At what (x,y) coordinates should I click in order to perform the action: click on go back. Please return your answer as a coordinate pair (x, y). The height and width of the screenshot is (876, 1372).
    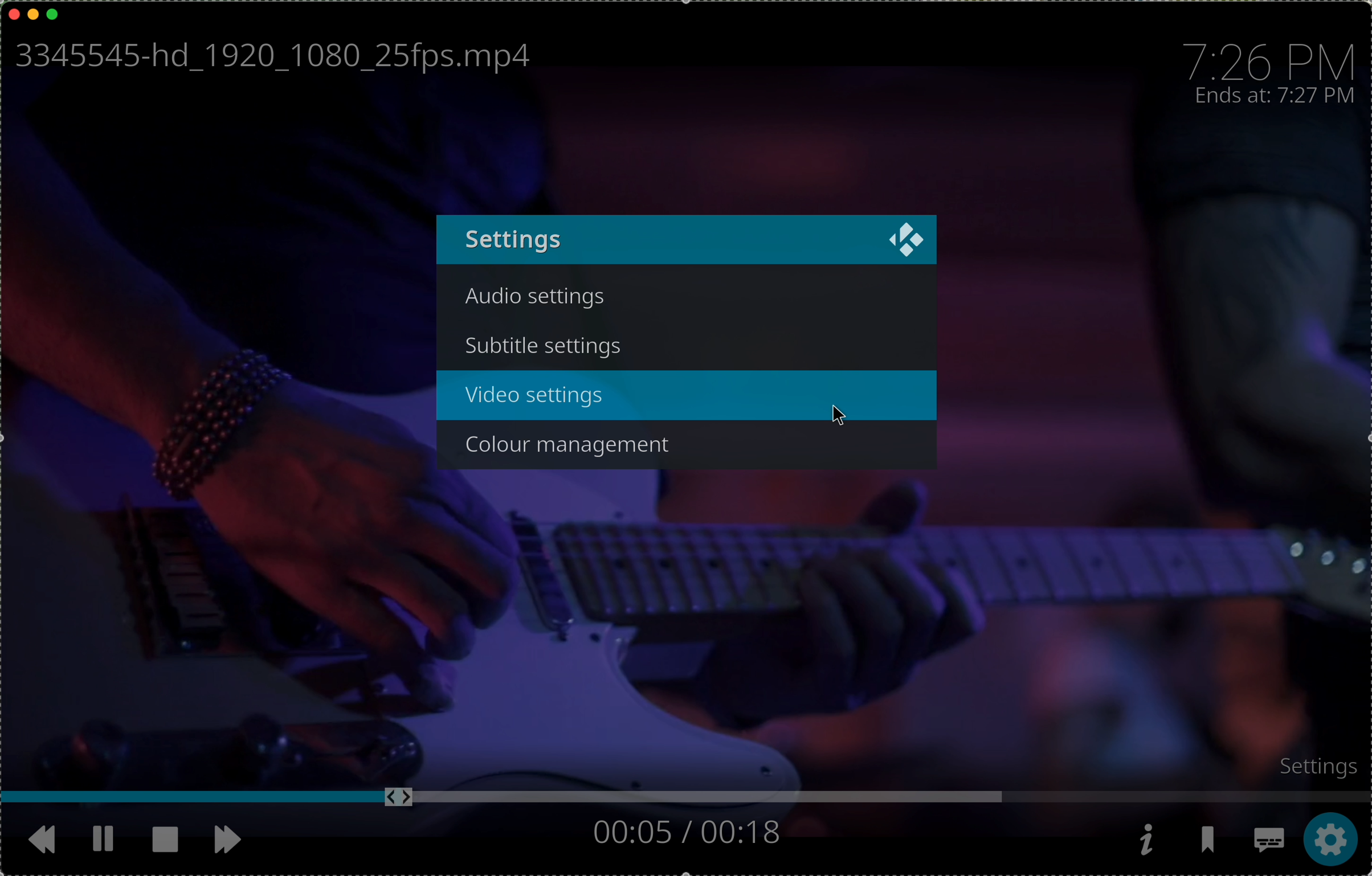
    Looking at the image, I should click on (34, 839).